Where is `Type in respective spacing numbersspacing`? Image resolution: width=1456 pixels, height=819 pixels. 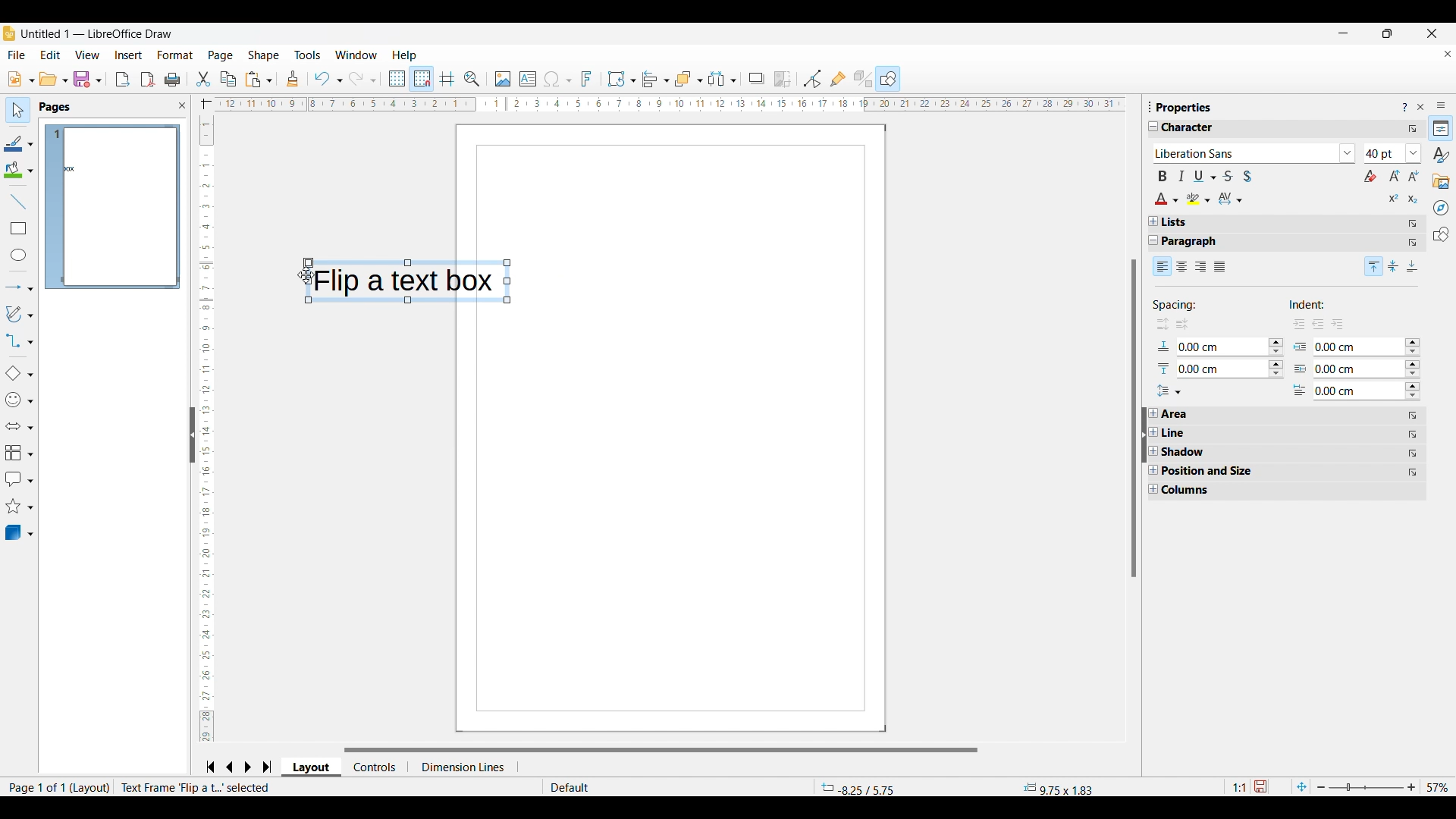
Type in respective spacing numbersspacing is located at coordinates (1222, 349).